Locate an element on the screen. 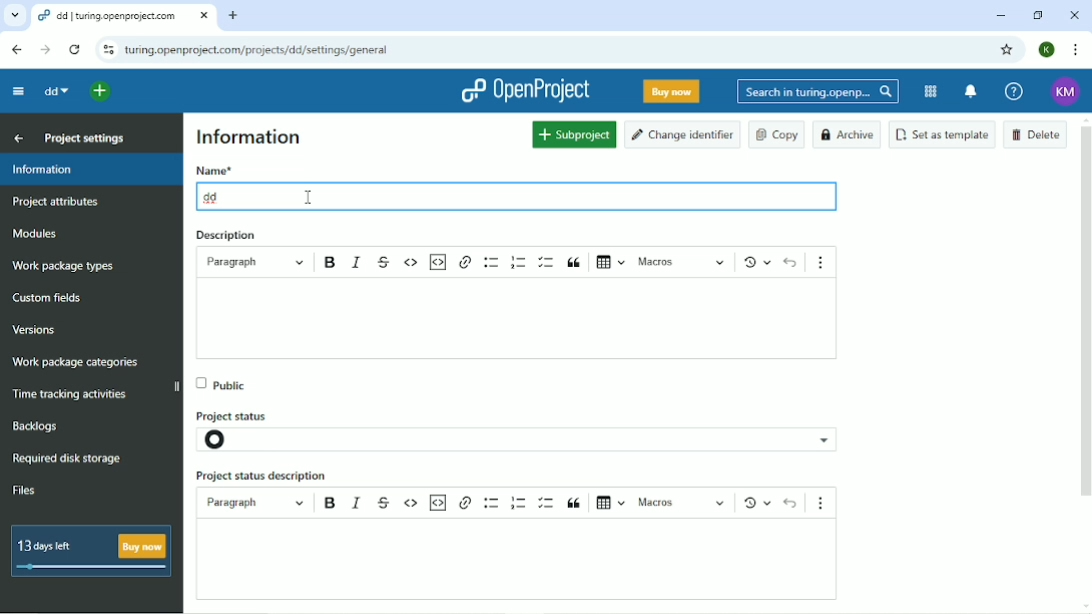 This screenshot has width=1092, height=614. Restore down is located at coordinates (1038, 16).